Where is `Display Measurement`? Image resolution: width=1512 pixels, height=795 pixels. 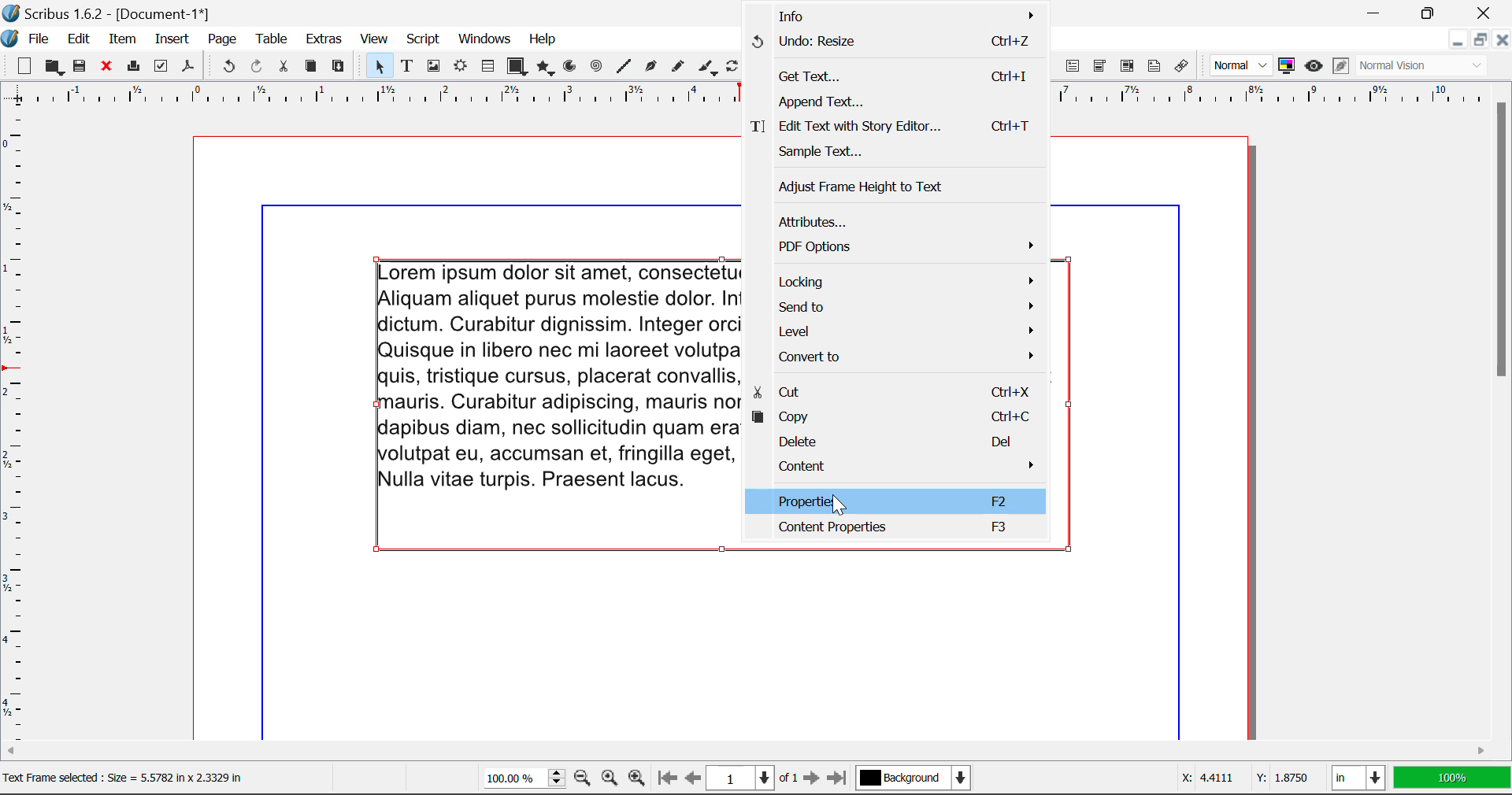 Display Measurement is located at coordinates (1452, 780).